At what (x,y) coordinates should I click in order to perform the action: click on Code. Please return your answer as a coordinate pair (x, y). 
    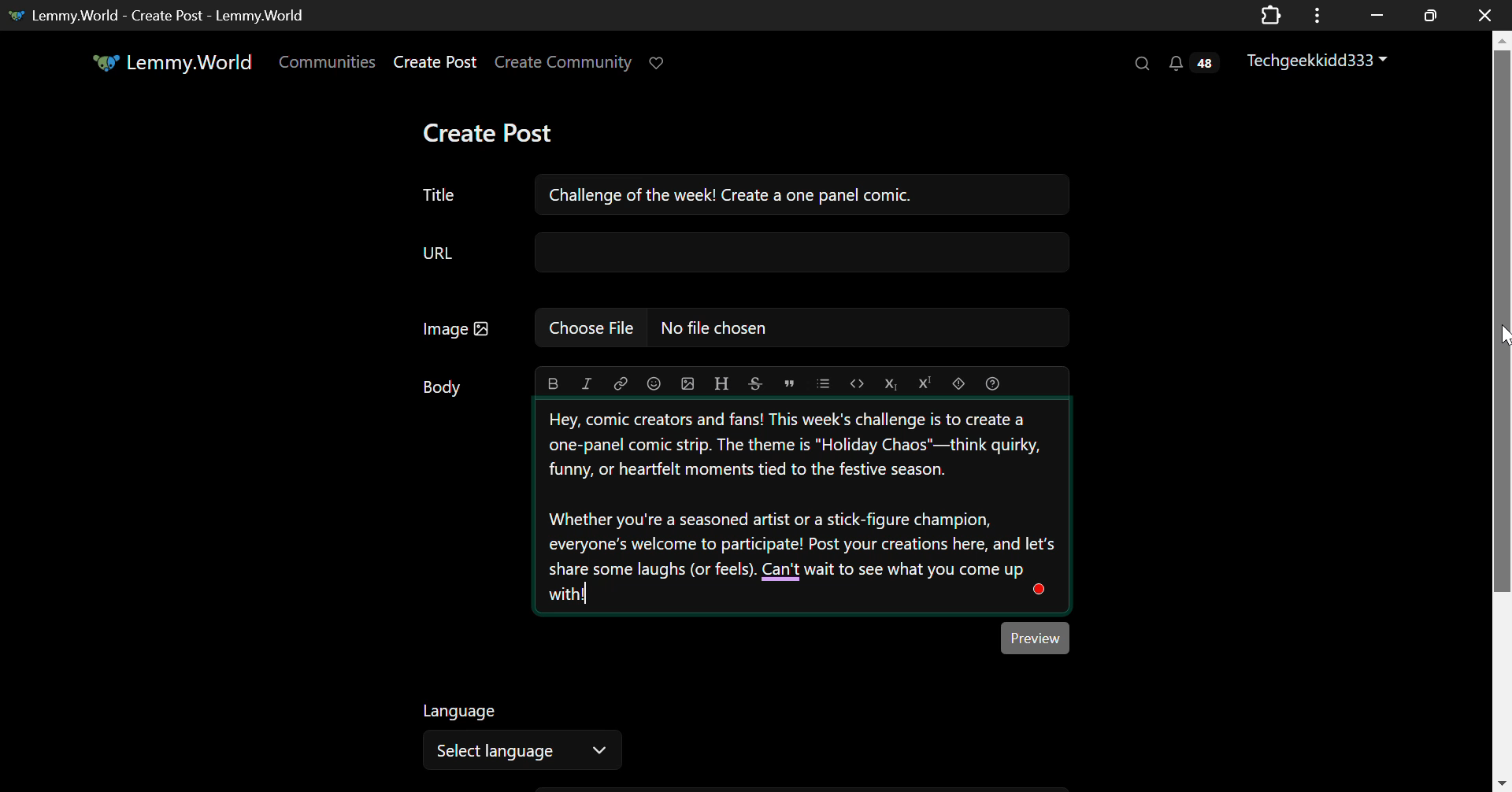
    Looking at the image, I should click on (857, 383).